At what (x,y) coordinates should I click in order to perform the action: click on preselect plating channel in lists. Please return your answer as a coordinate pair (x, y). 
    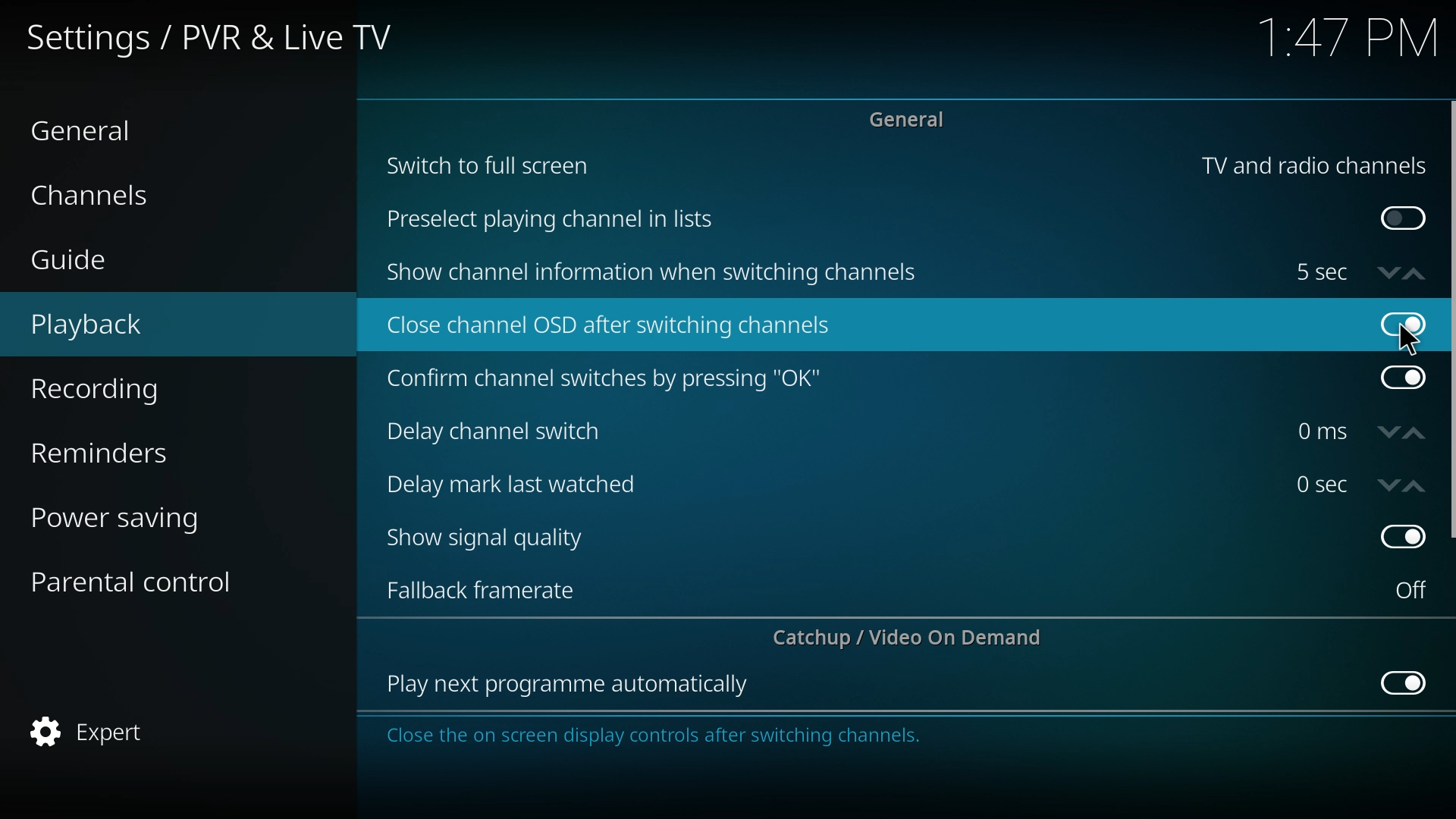
    Looking at the image, I should click on (556, 221).